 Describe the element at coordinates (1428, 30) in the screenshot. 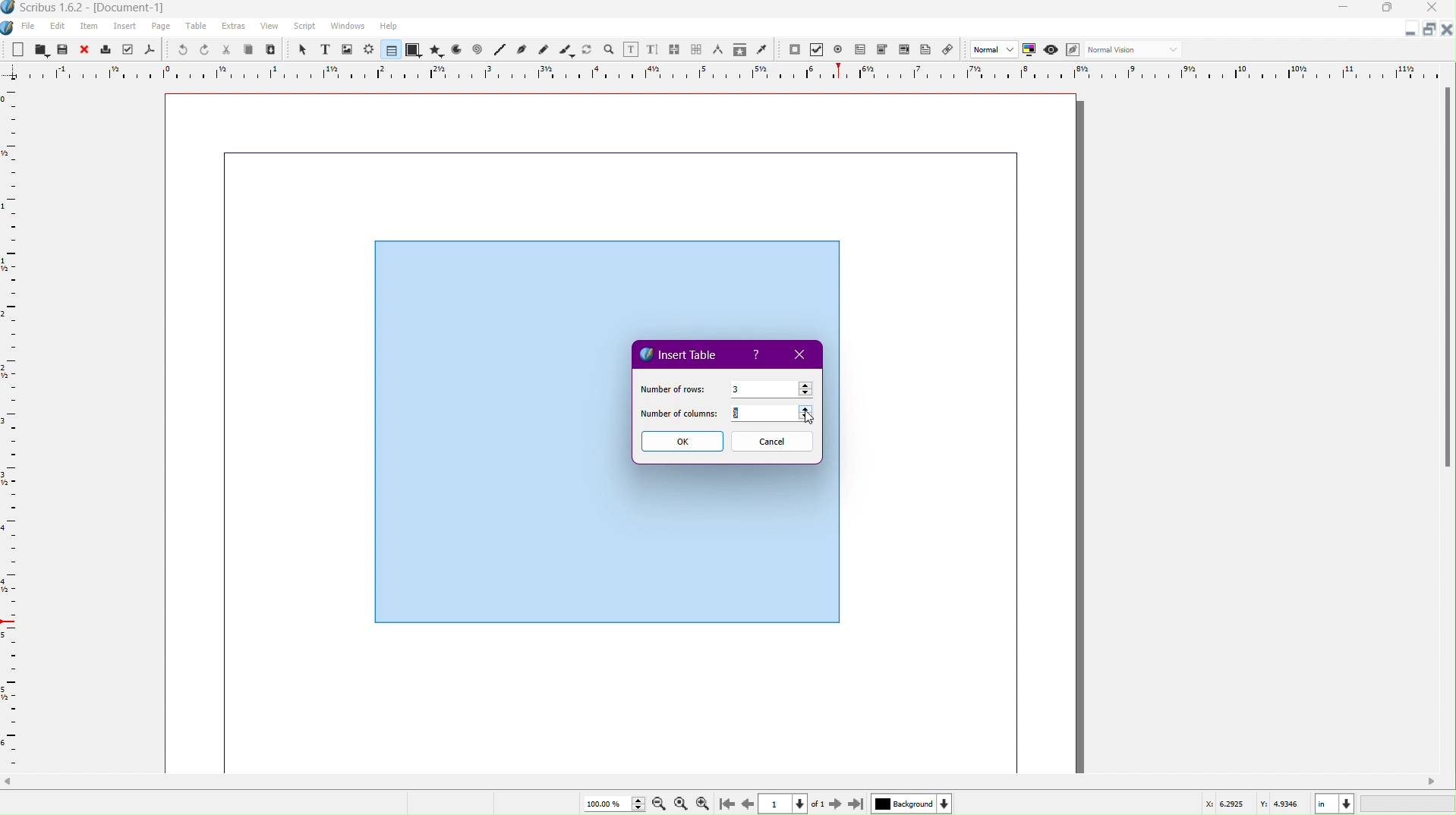

I see `Maximize` at that location.